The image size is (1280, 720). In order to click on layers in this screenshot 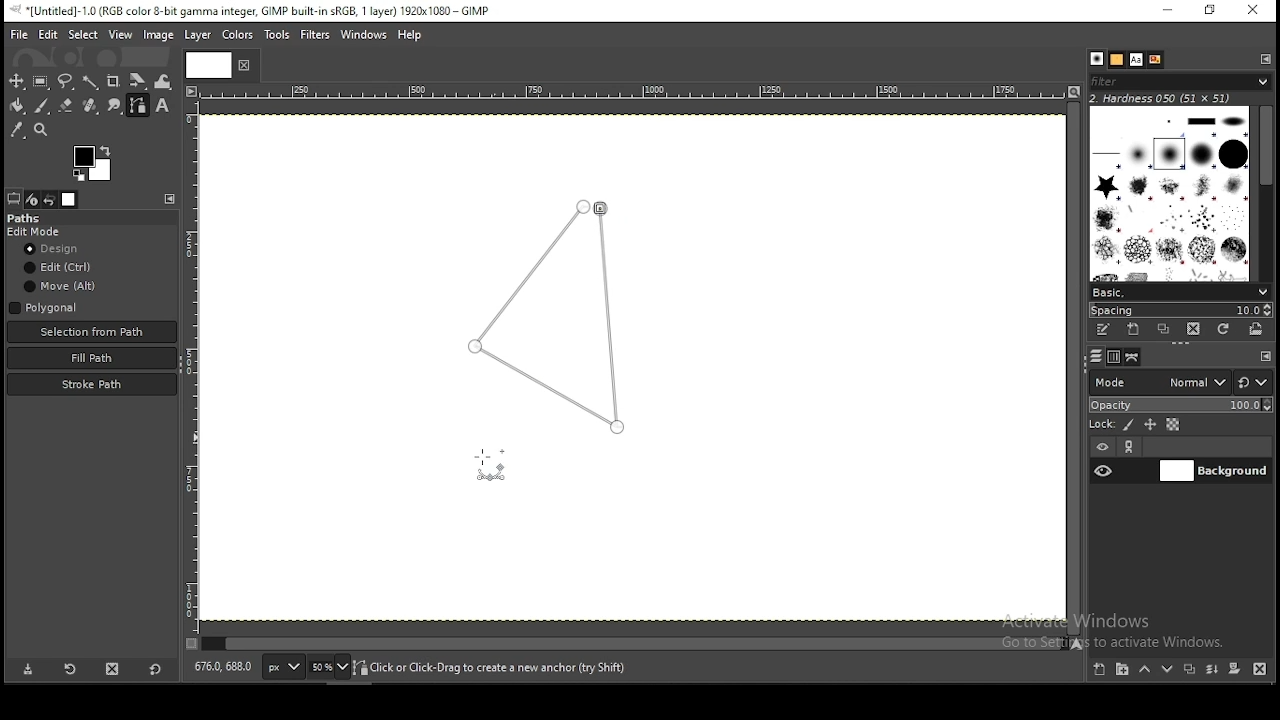, I will do `click(1097, 356)`.